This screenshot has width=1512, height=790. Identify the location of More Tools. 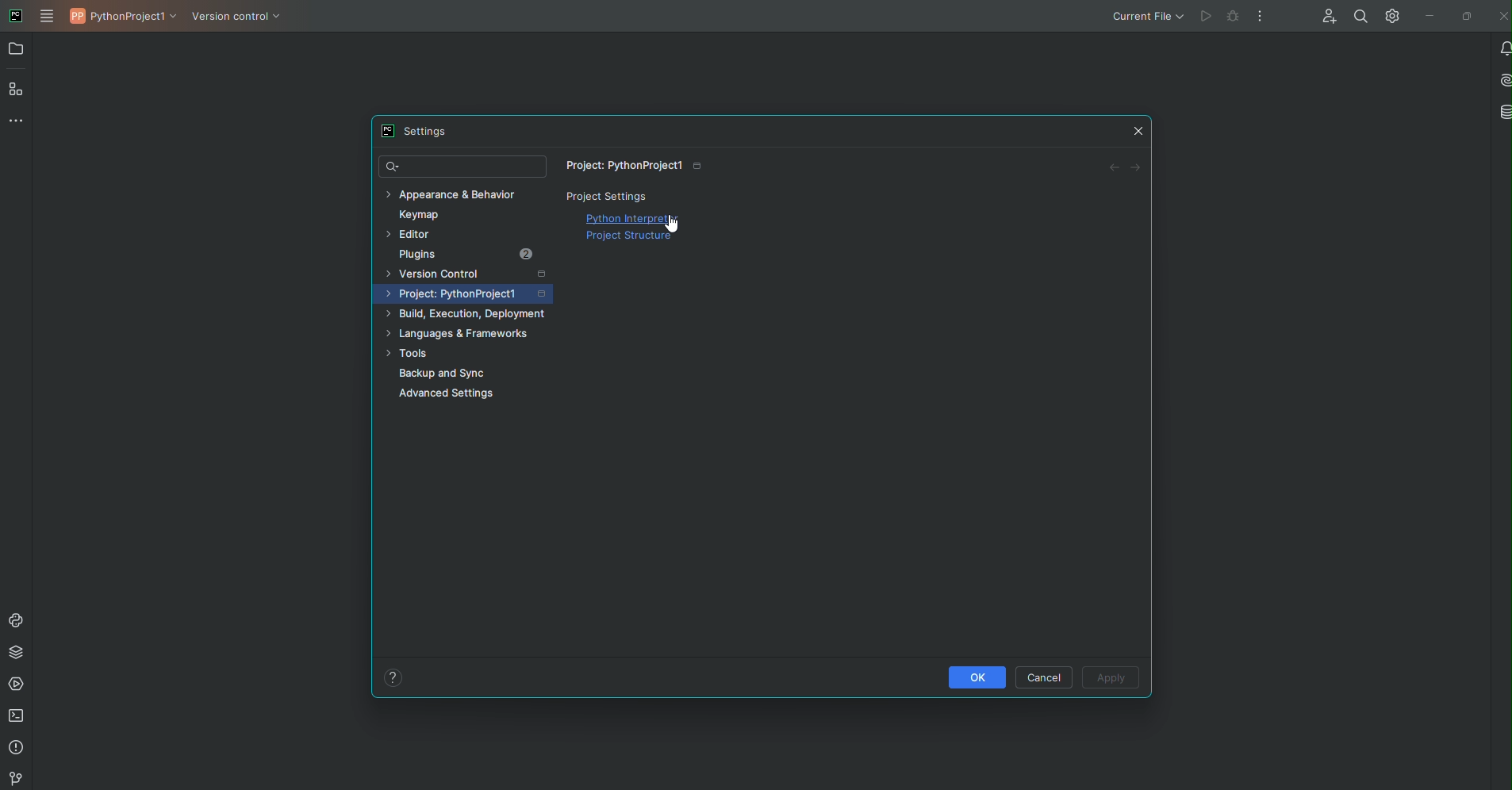
(15, 124).